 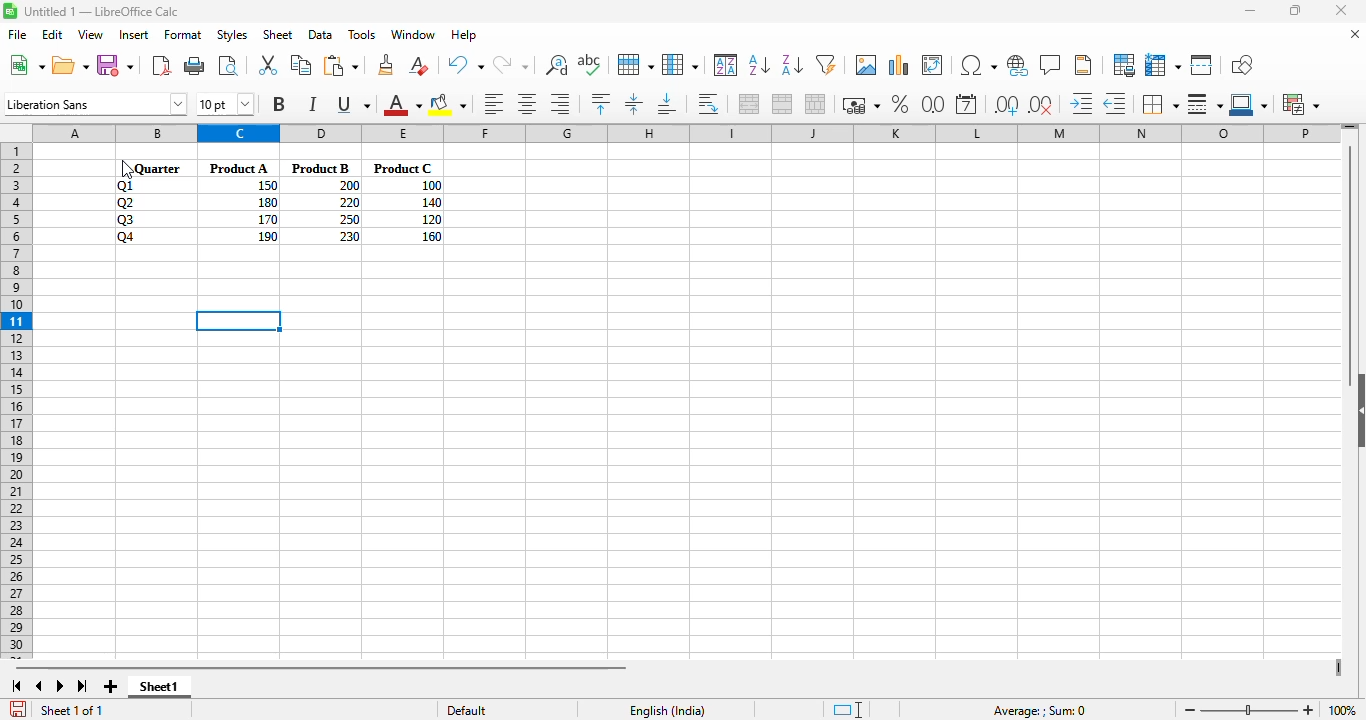 What do you see at coordinates (232, 35) in the screenshot?
I see `styles` at bounding box center [232, 35].